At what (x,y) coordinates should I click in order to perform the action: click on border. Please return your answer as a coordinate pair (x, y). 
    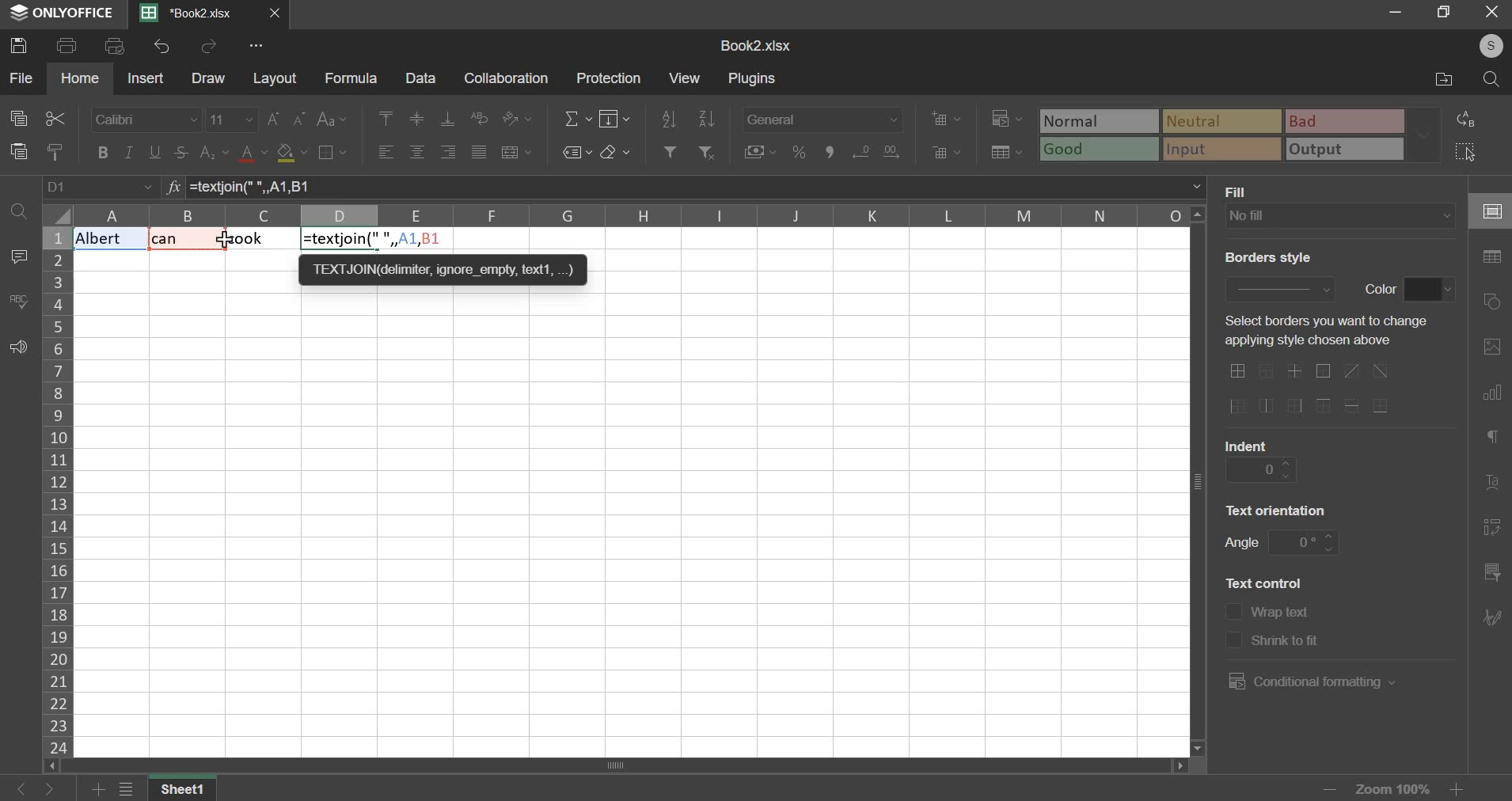
    Looking at the image, I should click on (332, 151).